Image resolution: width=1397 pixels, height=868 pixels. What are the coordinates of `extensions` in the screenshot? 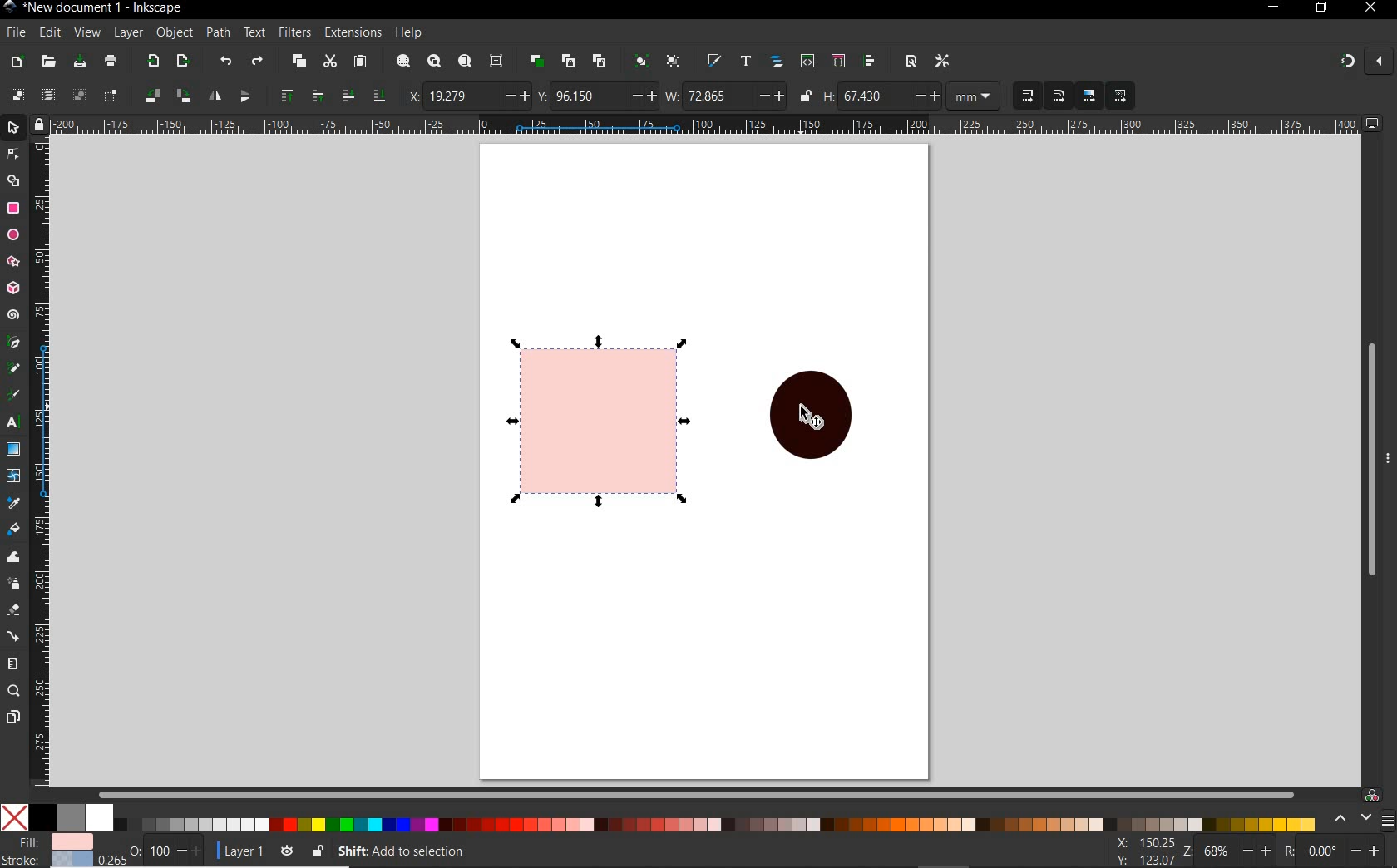 It's located at (351, 32).